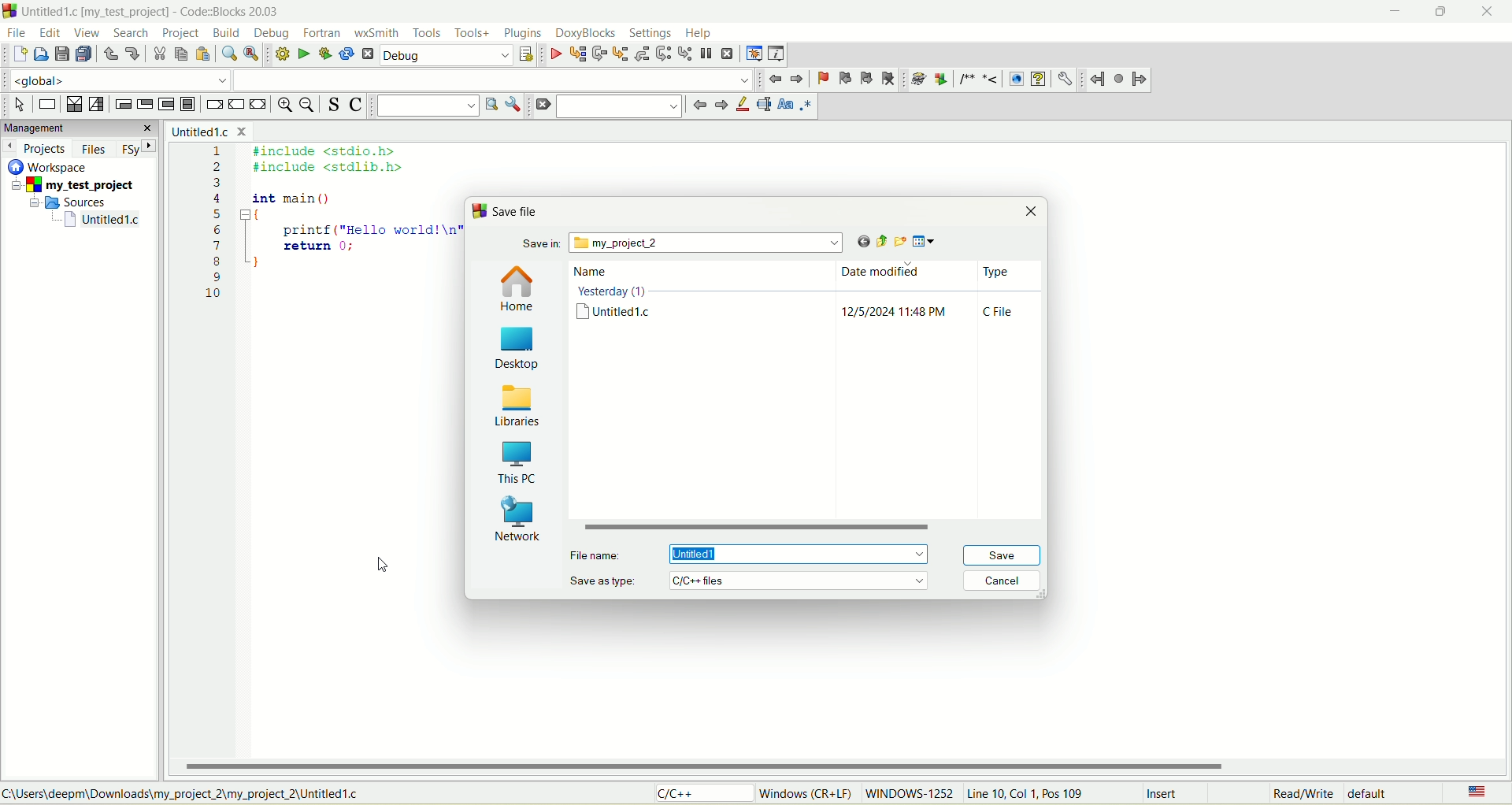  Describe the element at coordinates (998, 555) in the screenshot. I see `save` at that location.